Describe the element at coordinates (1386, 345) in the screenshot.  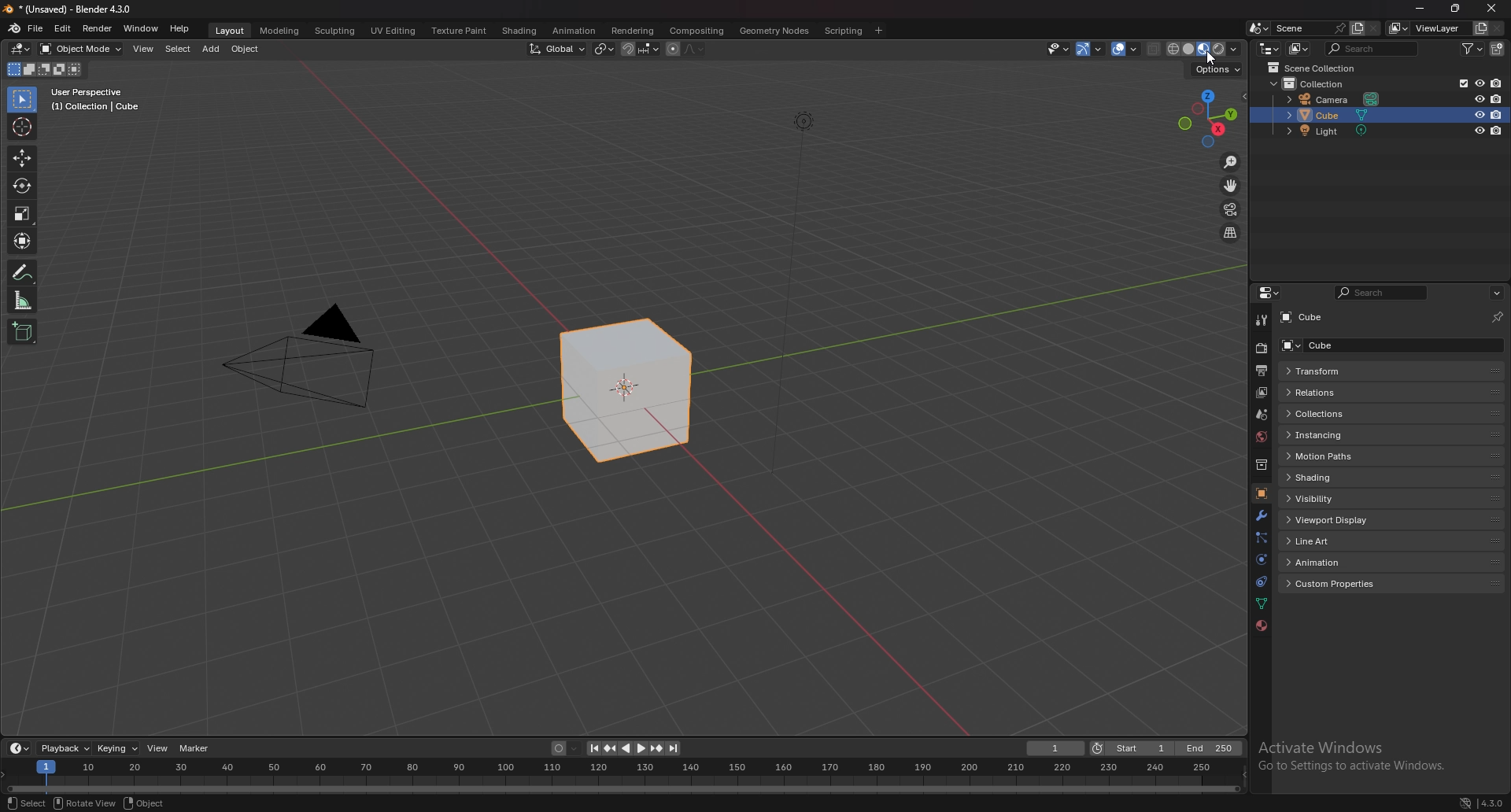
I see `cube` at that location.